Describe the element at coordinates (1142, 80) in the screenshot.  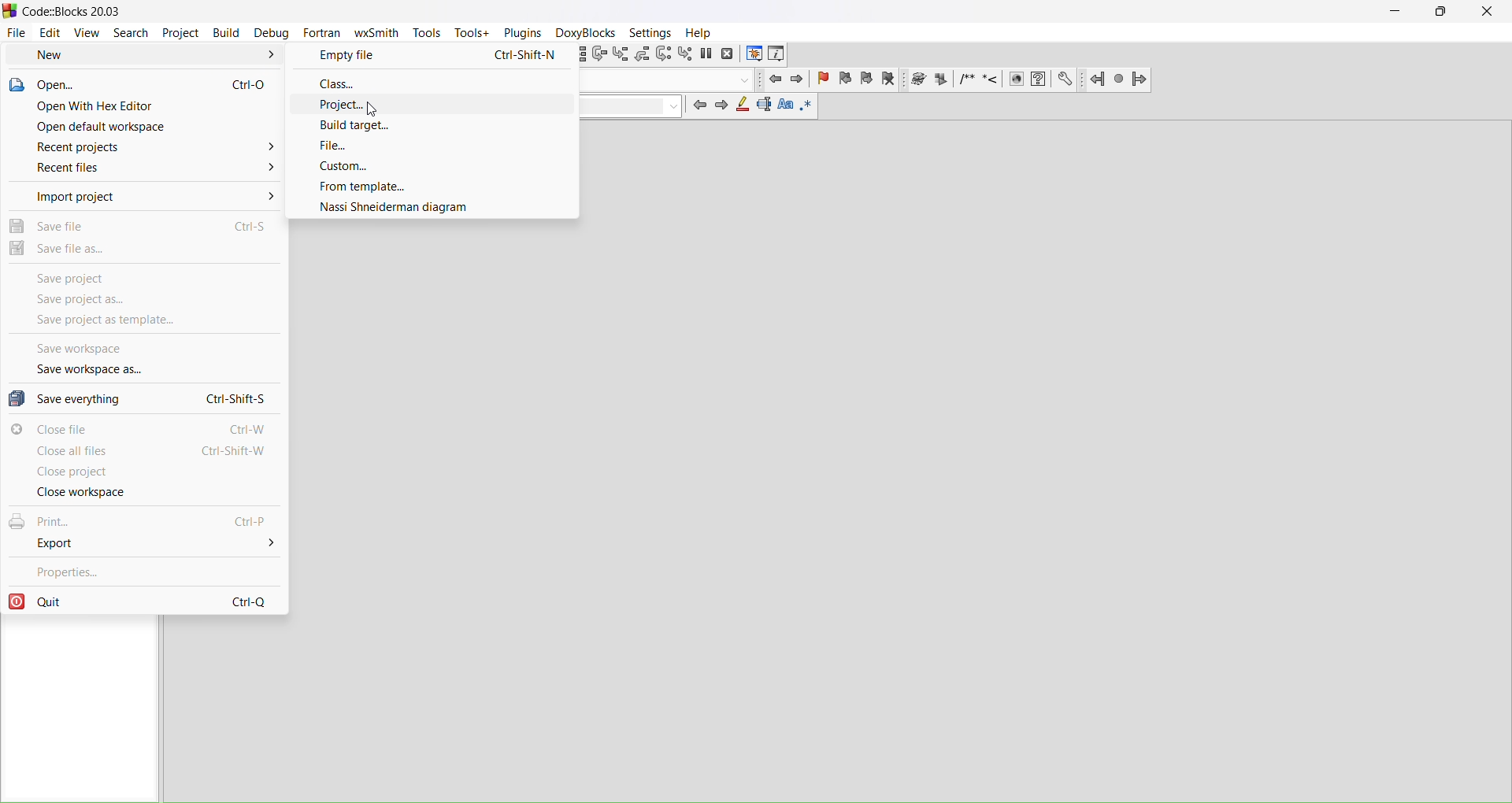
I see `Jump forward` at that location.